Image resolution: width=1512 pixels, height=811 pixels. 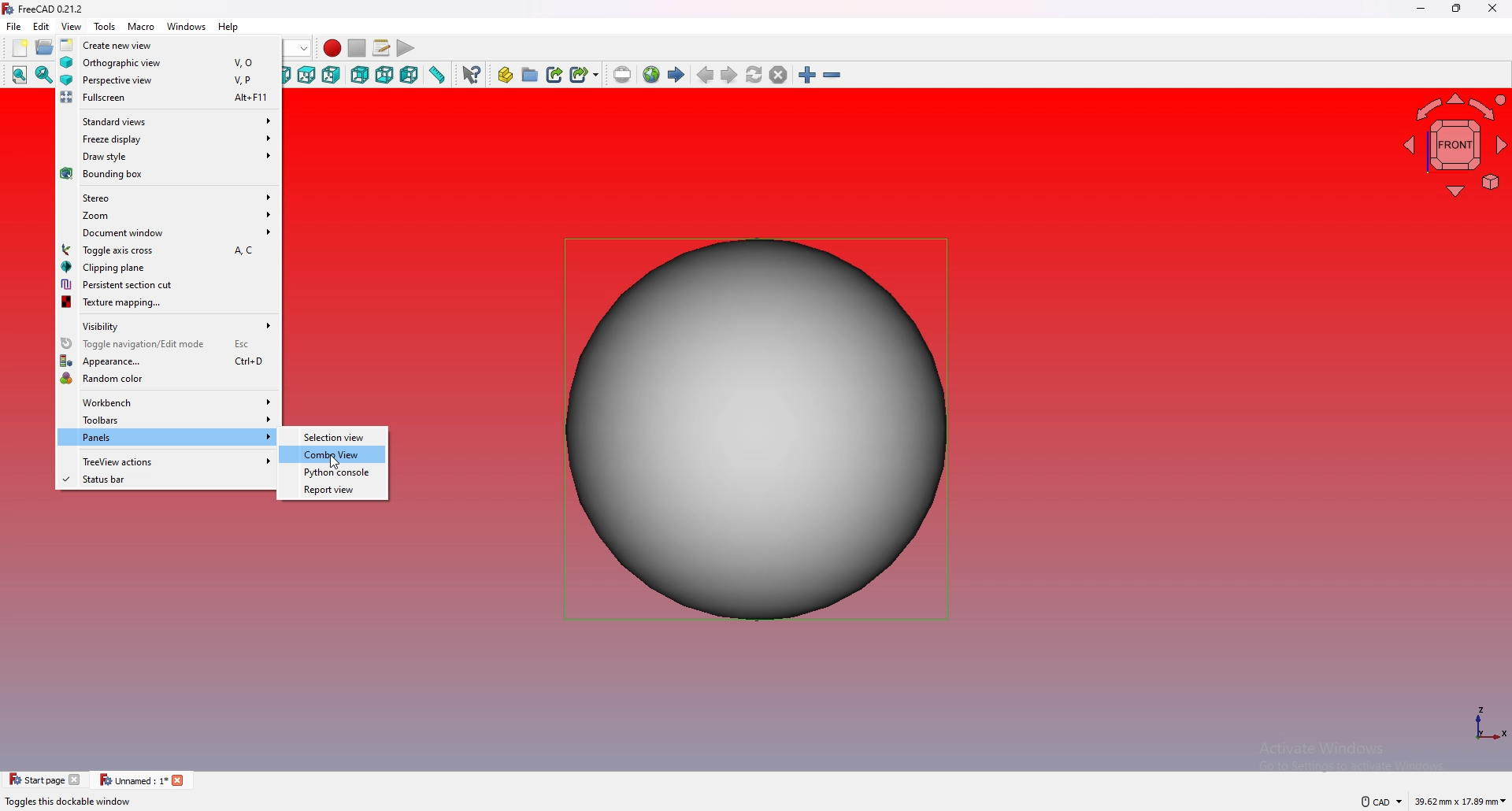 I want to click on panels, so click(x=167, y=438).